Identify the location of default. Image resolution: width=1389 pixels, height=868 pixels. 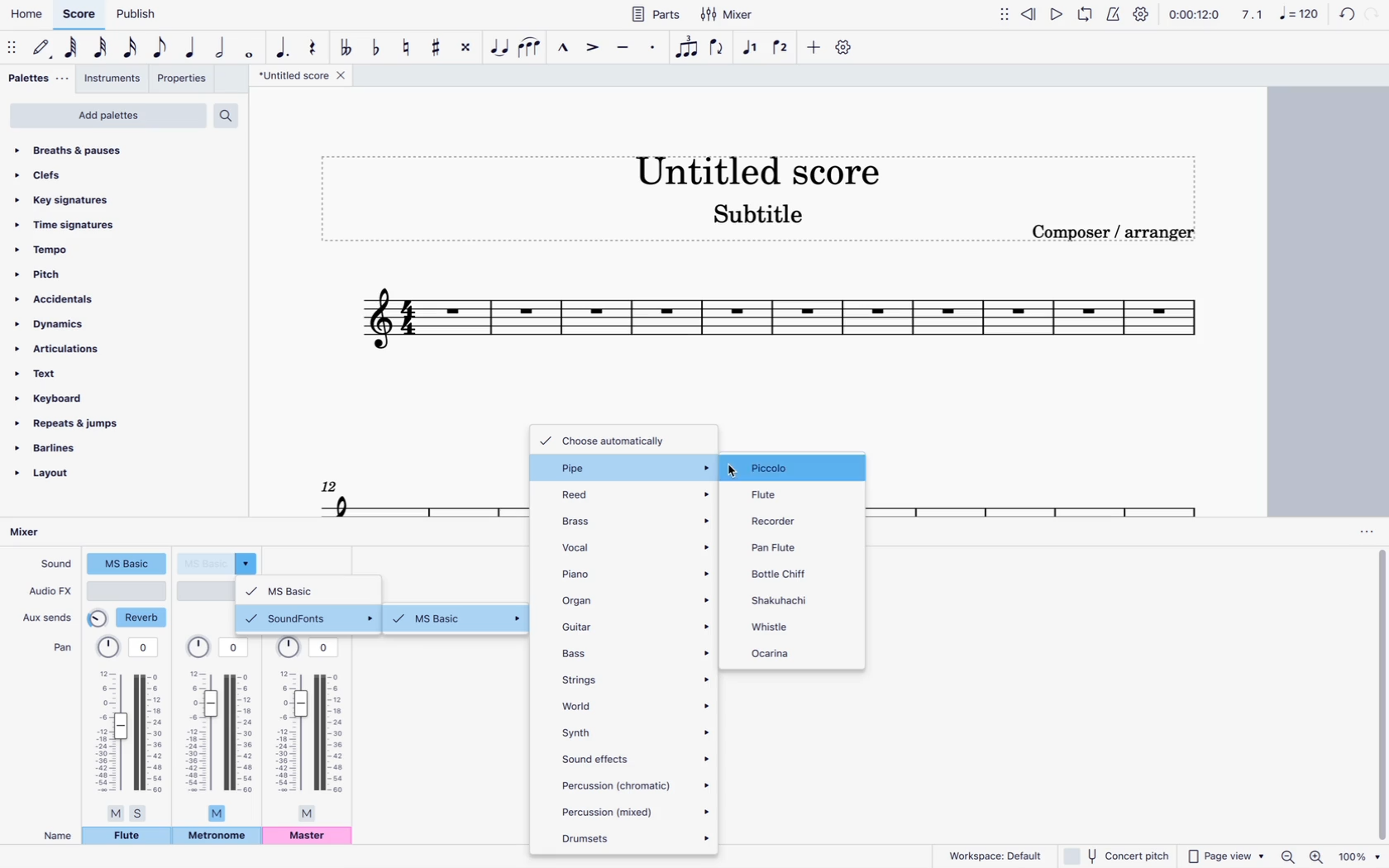
(45, 49).